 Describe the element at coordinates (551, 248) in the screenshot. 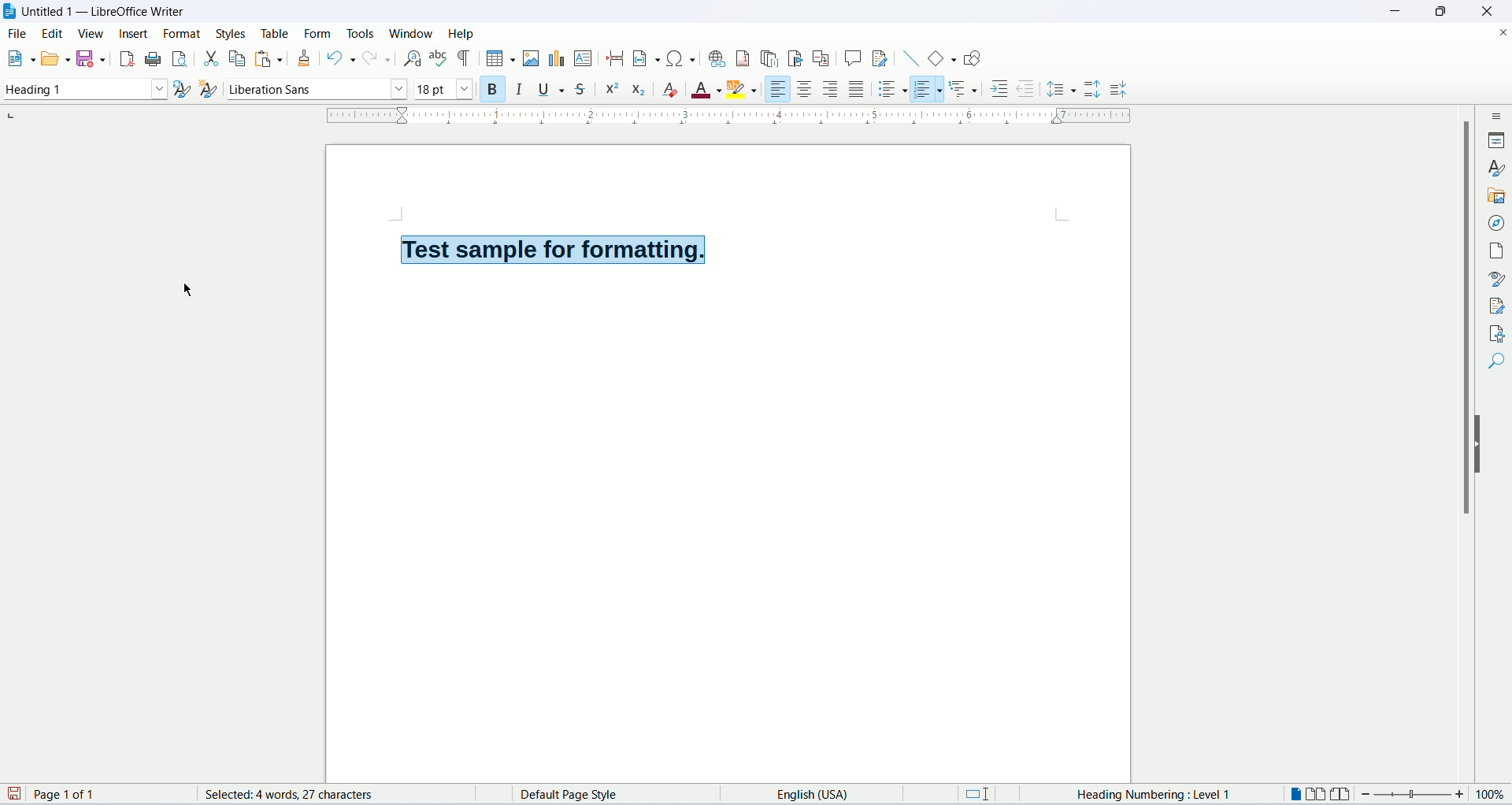

I see `Test sample for formatting.` at that location.